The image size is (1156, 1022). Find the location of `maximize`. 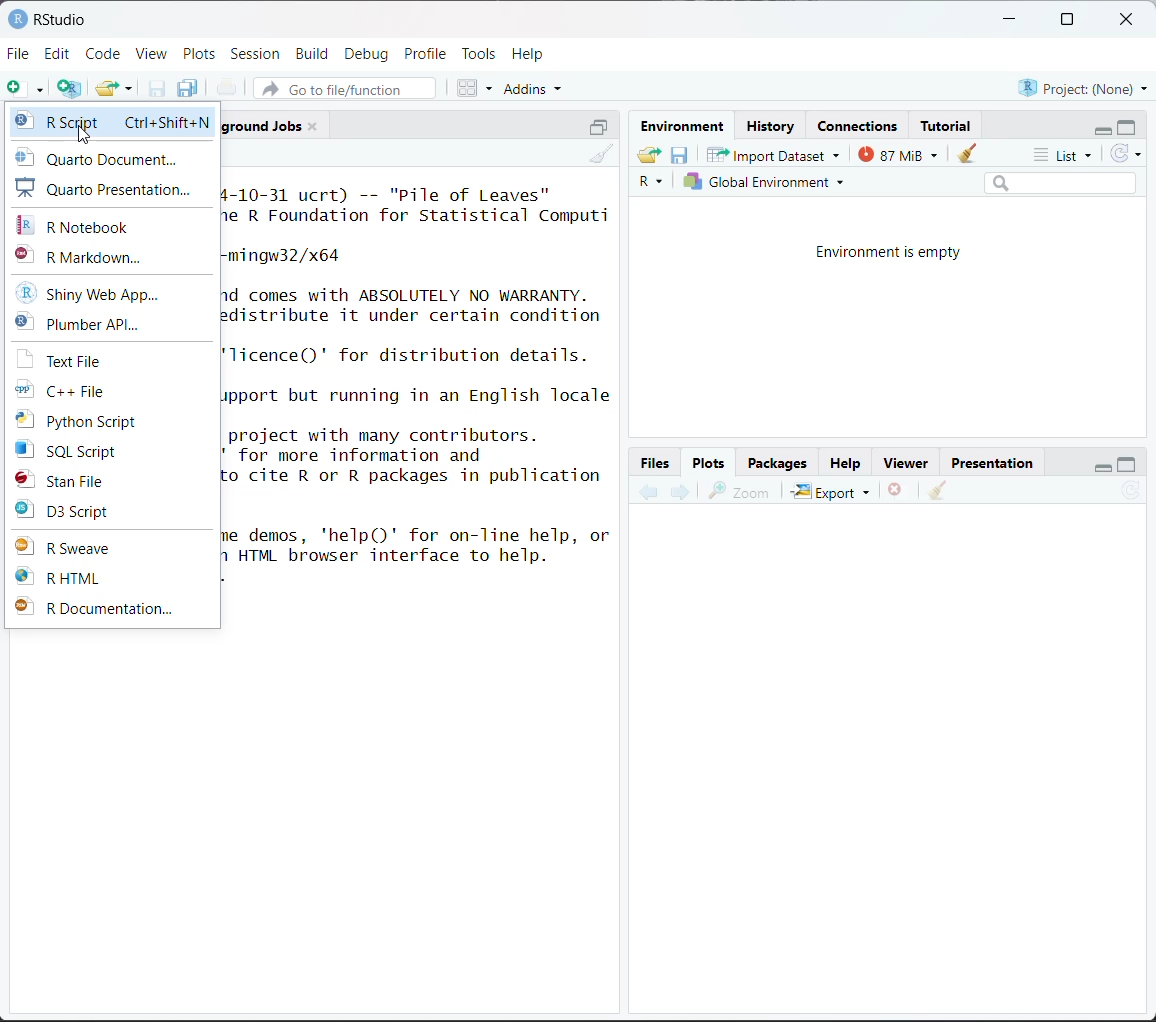

maximize is located at coordinates (1066, 20).